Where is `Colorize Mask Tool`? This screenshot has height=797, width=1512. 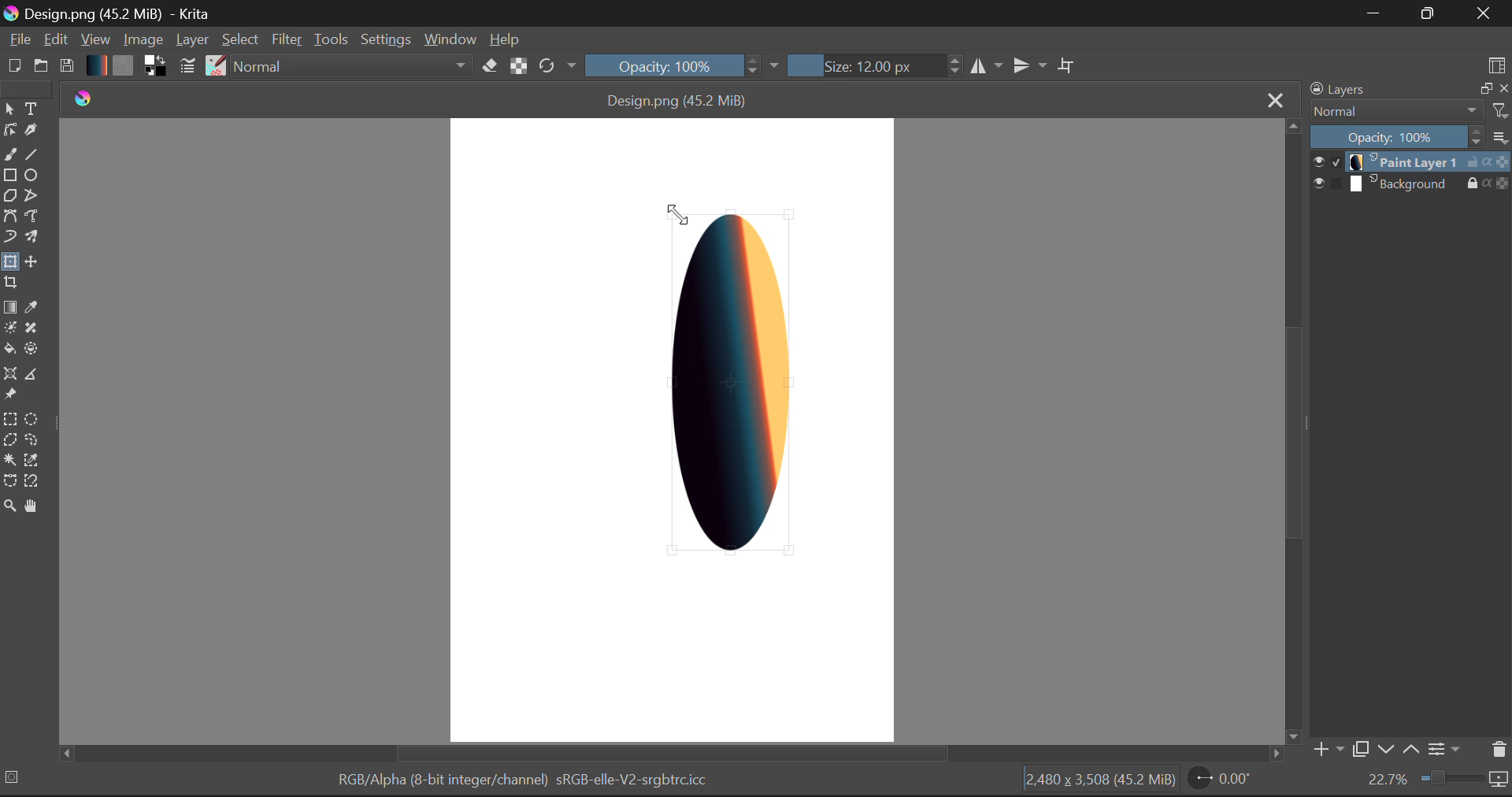
Colorize Mask Tool is located at coordinates (9, 328).